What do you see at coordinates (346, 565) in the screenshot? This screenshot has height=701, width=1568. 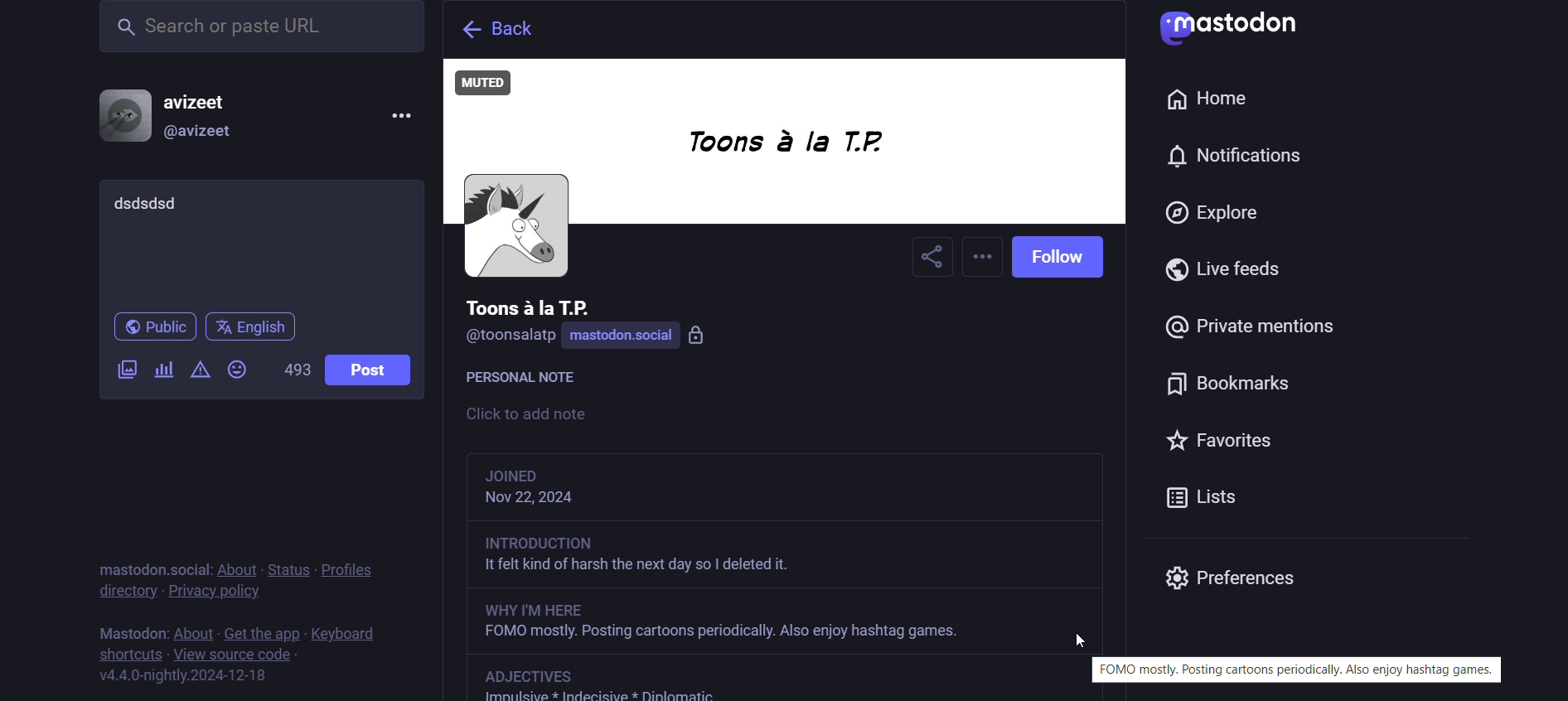 I see `profiles` at bounding box center [346, 565].